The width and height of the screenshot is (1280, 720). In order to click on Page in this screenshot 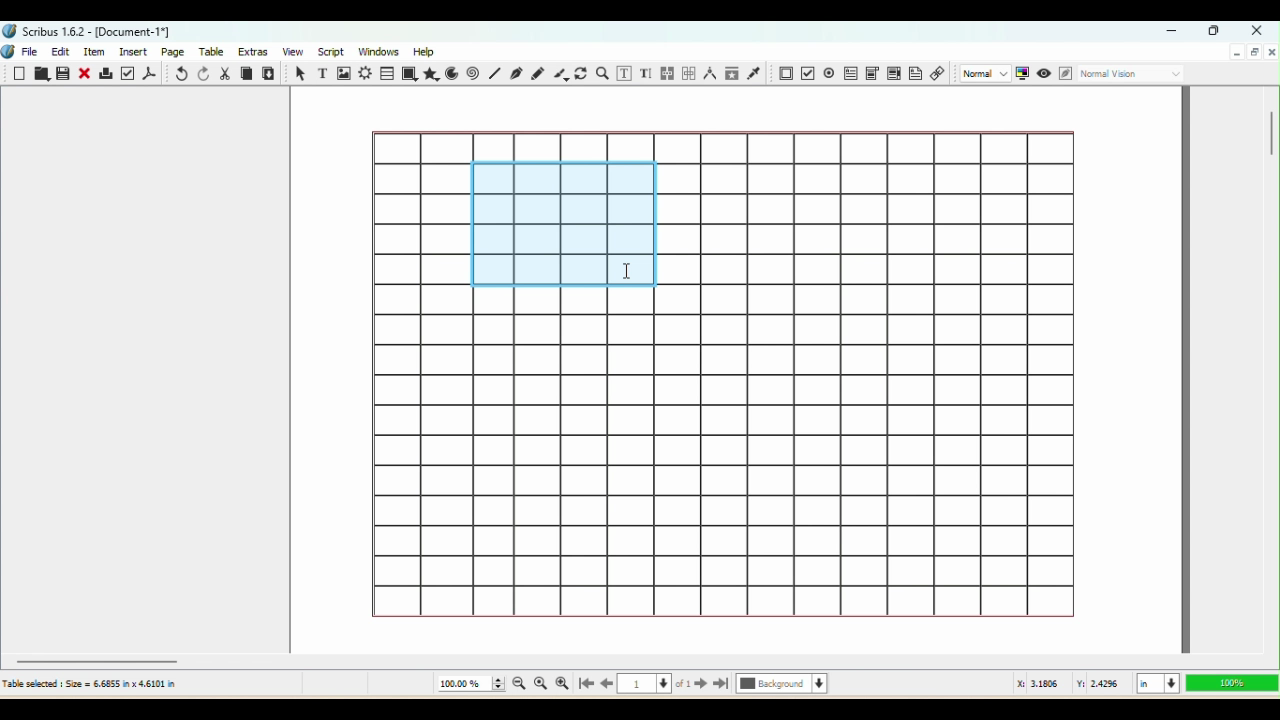, I will do `click(175, 51)`.